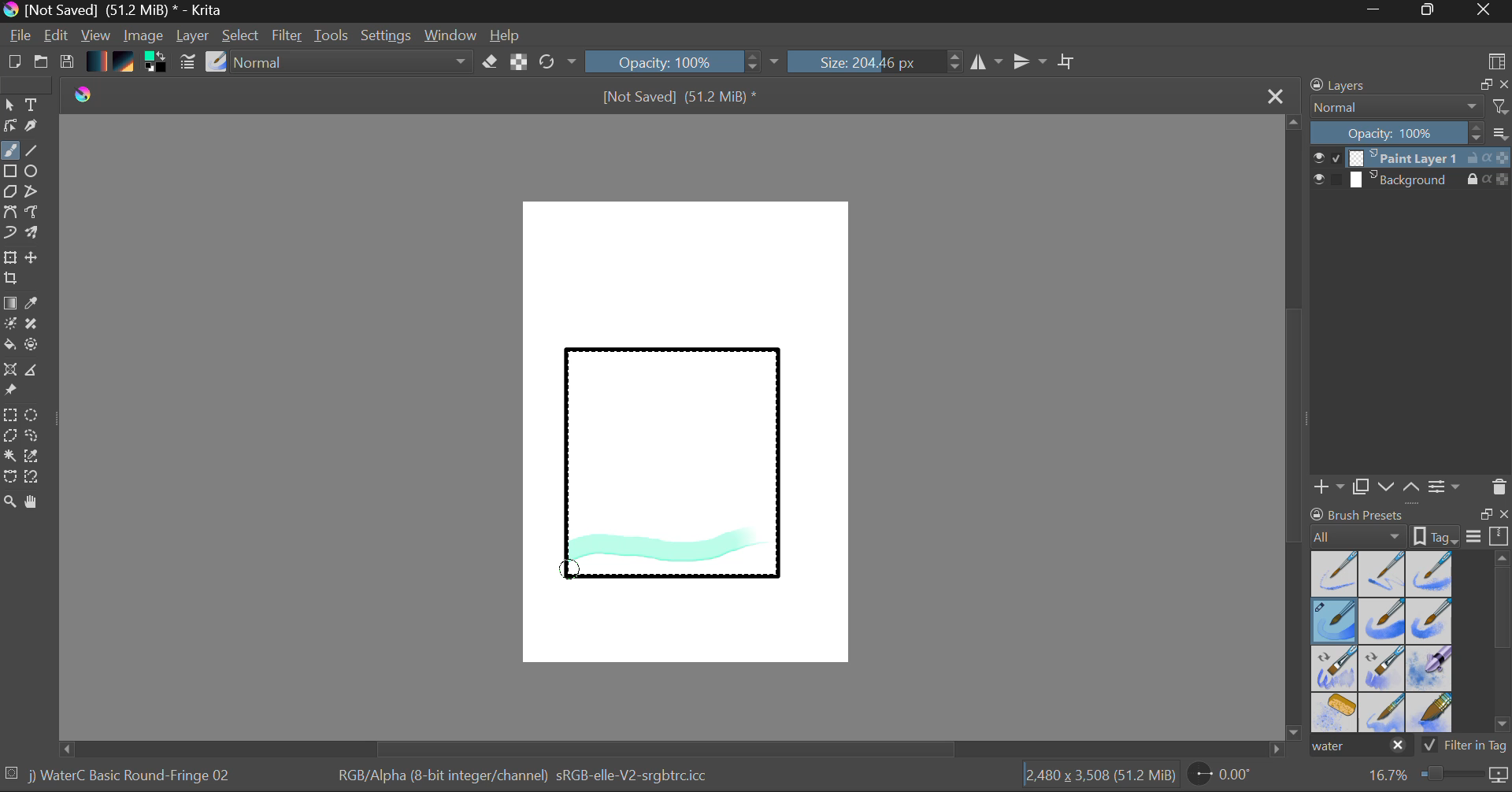 This screenshot has width=1512, height=792. What do you see at coordinates (33, 235) in the screenshot?
I see `Multibrush Tool` at bounding box center [33, 235].